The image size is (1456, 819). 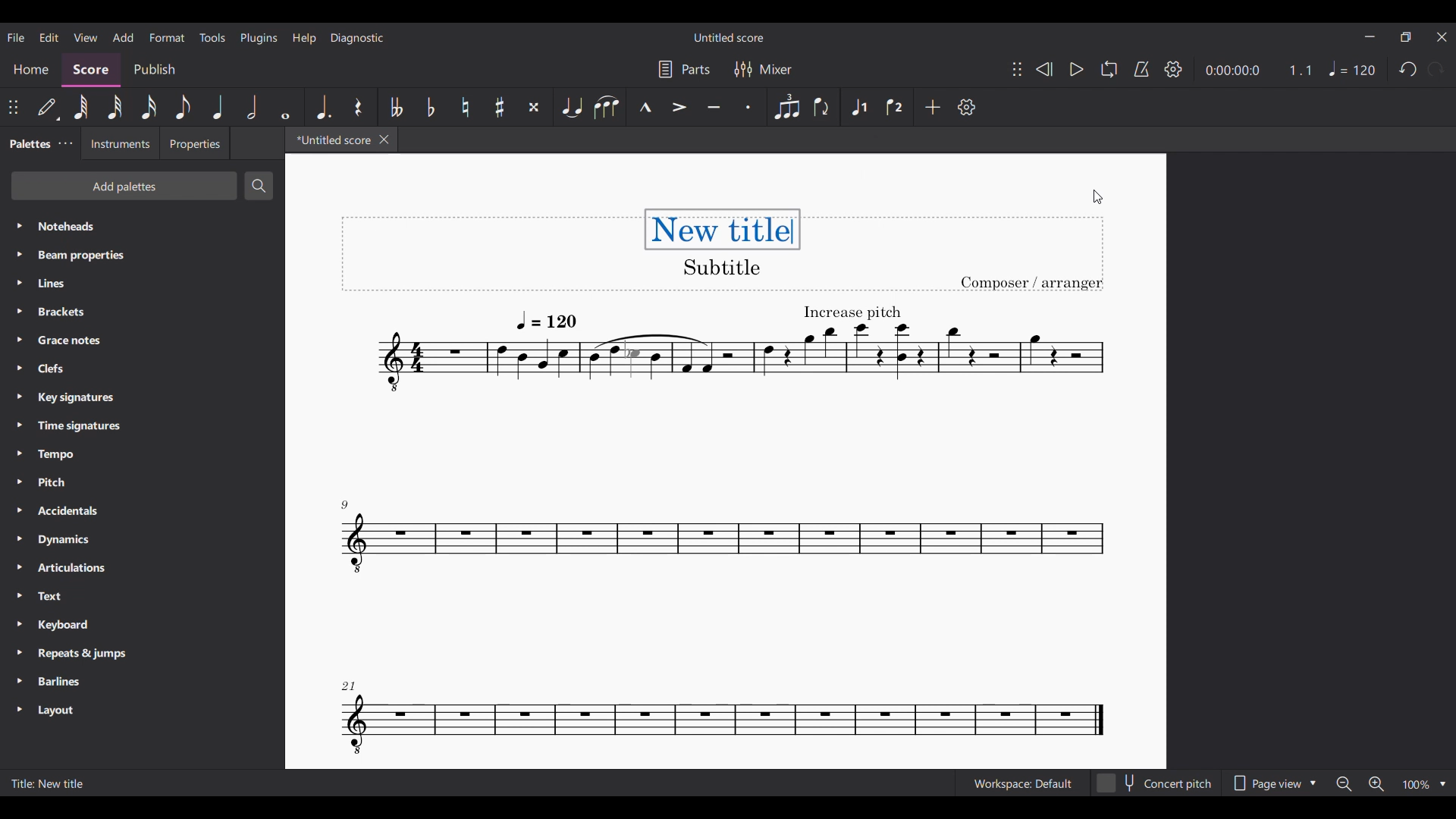 What do you see at coordinates (359, 107) in the screenshot?
I see `Rest` at bounding box center [359, 107].